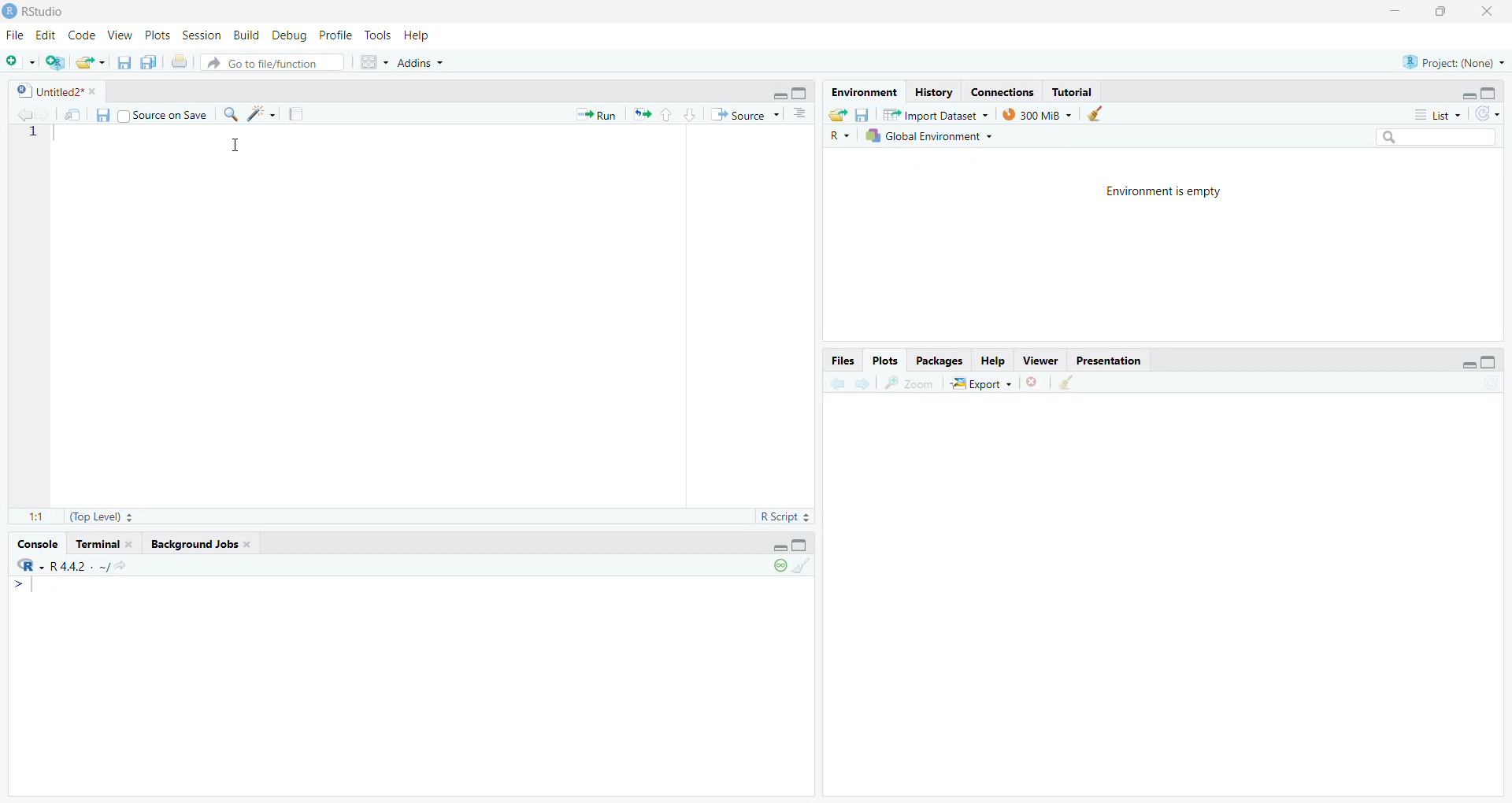 The width and height of the screenshot is (1512, 803). Describe the element at coordinates (938, 361) in the screenshot. I see `Packages` at that location.